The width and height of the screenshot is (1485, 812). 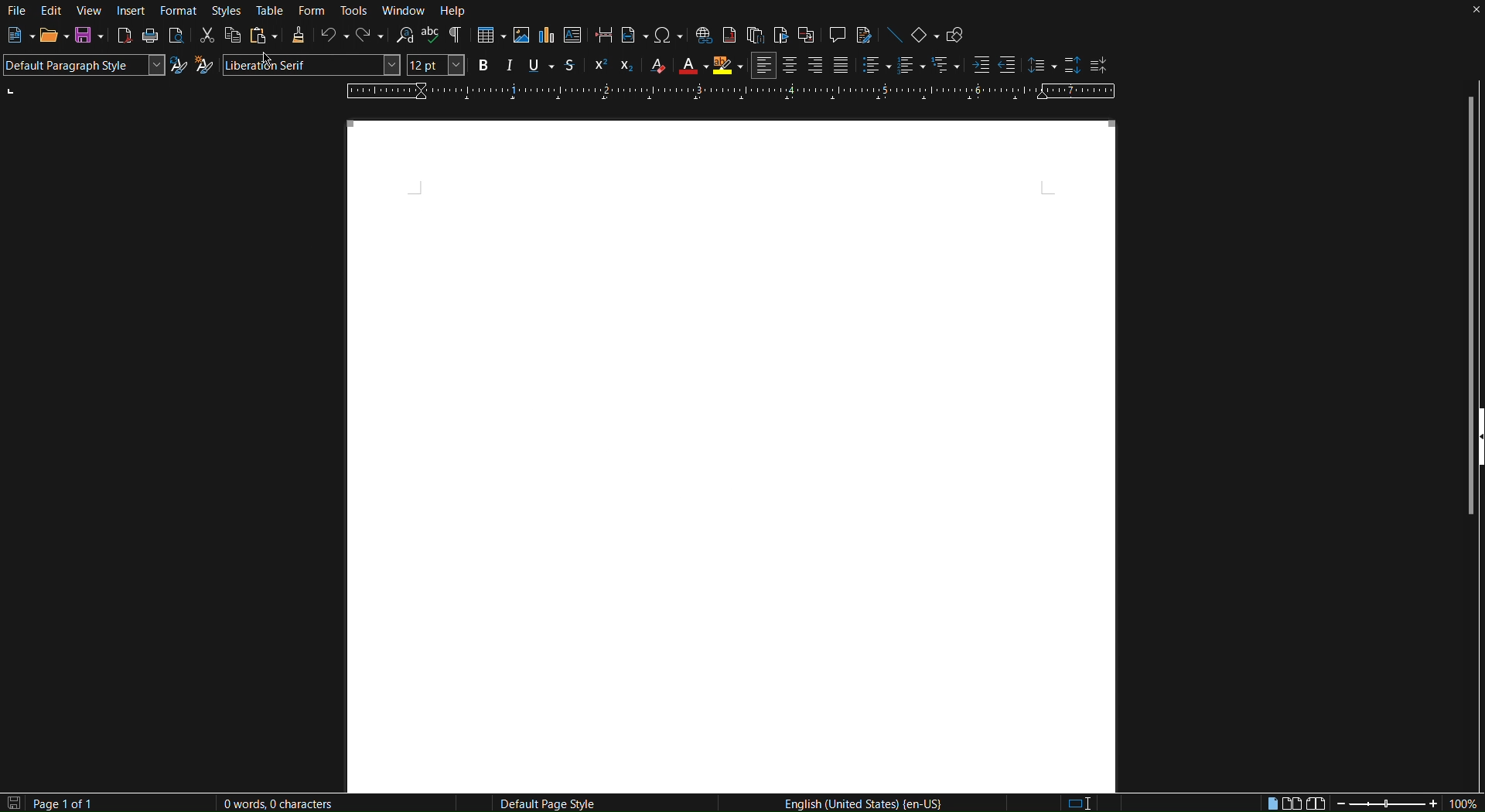 I want to click on Copy, so click(x=232, y=37).